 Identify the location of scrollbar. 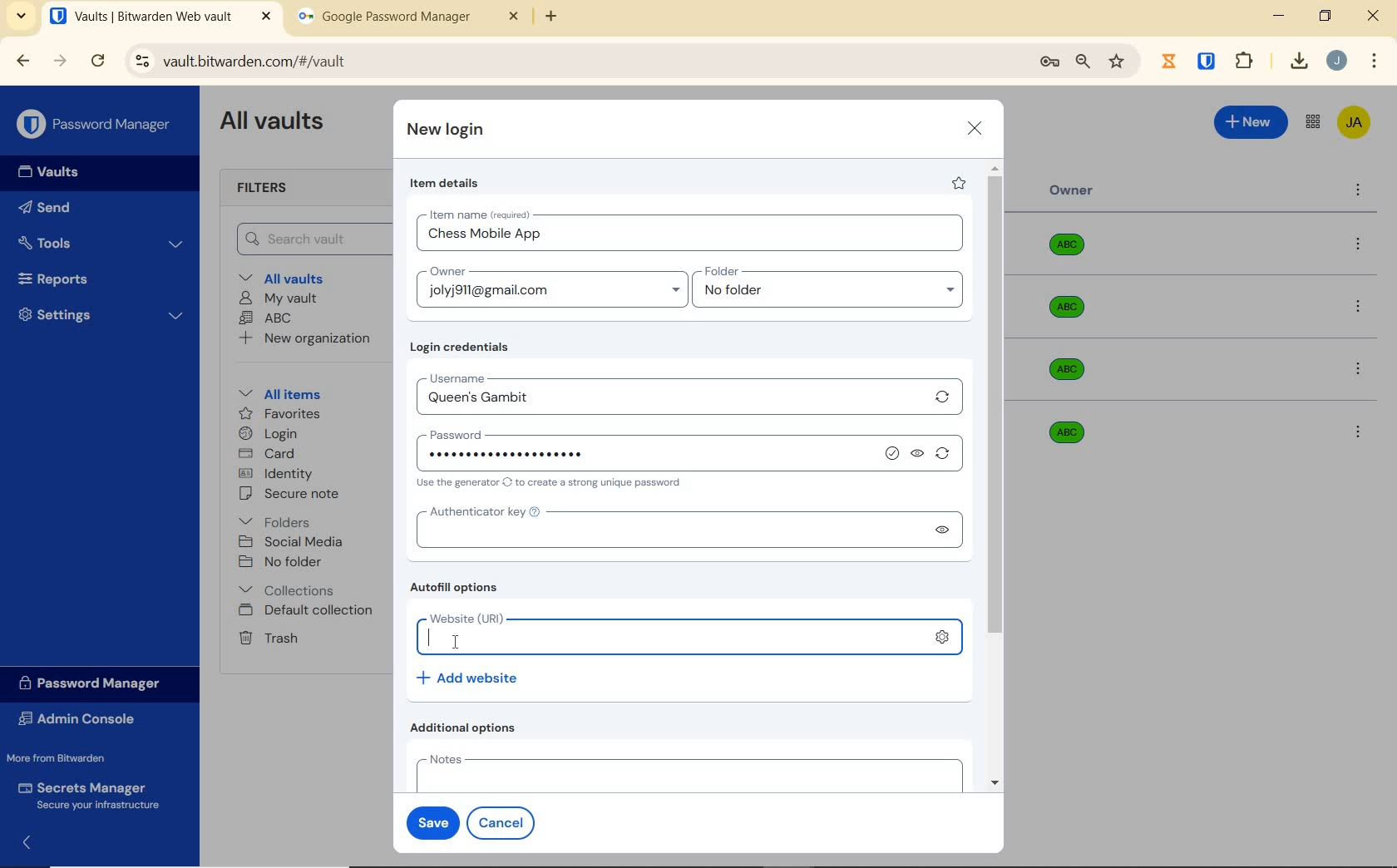
(997, 476).